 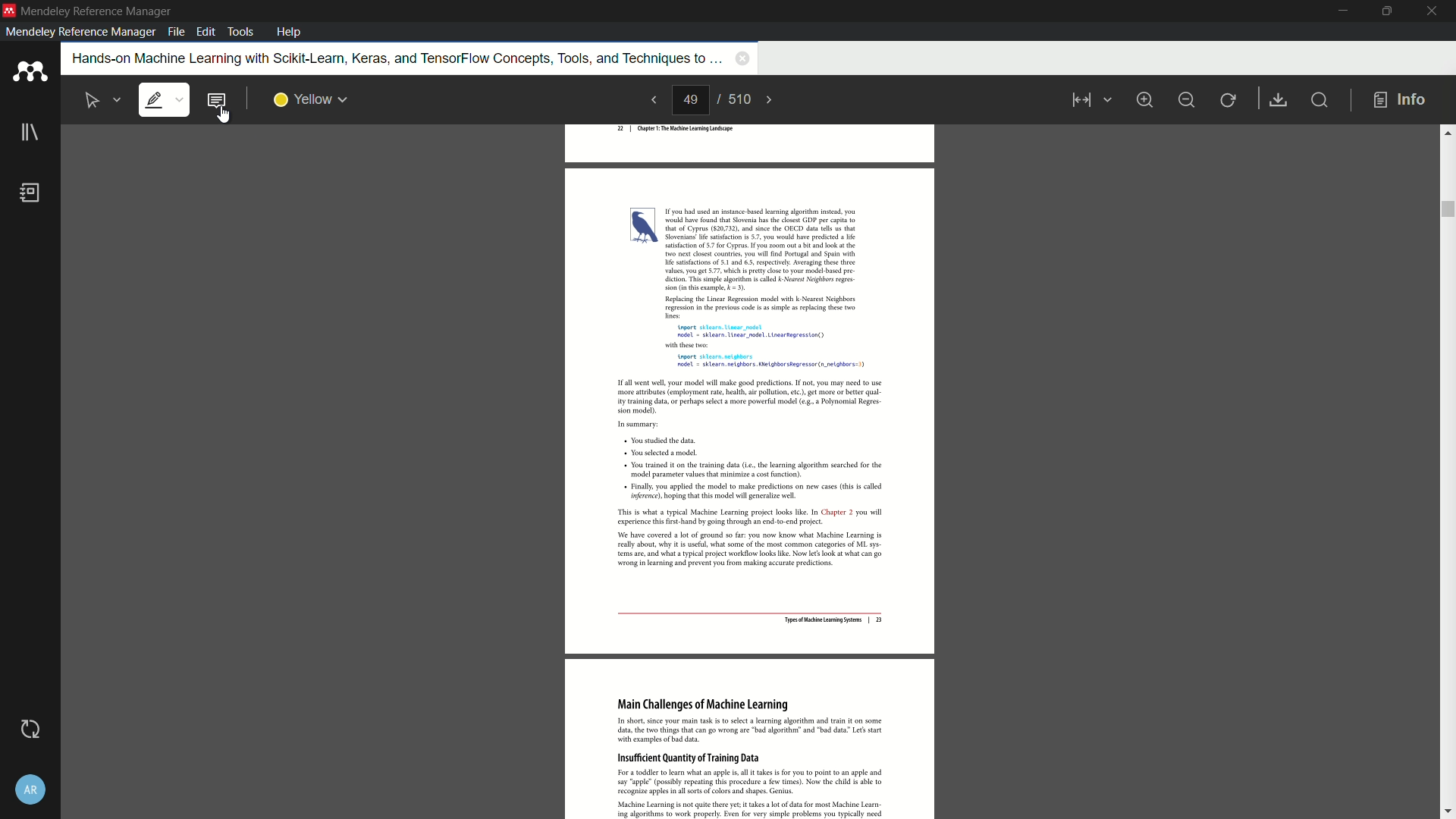 I want to click on save, so click(x=1280, y=100).